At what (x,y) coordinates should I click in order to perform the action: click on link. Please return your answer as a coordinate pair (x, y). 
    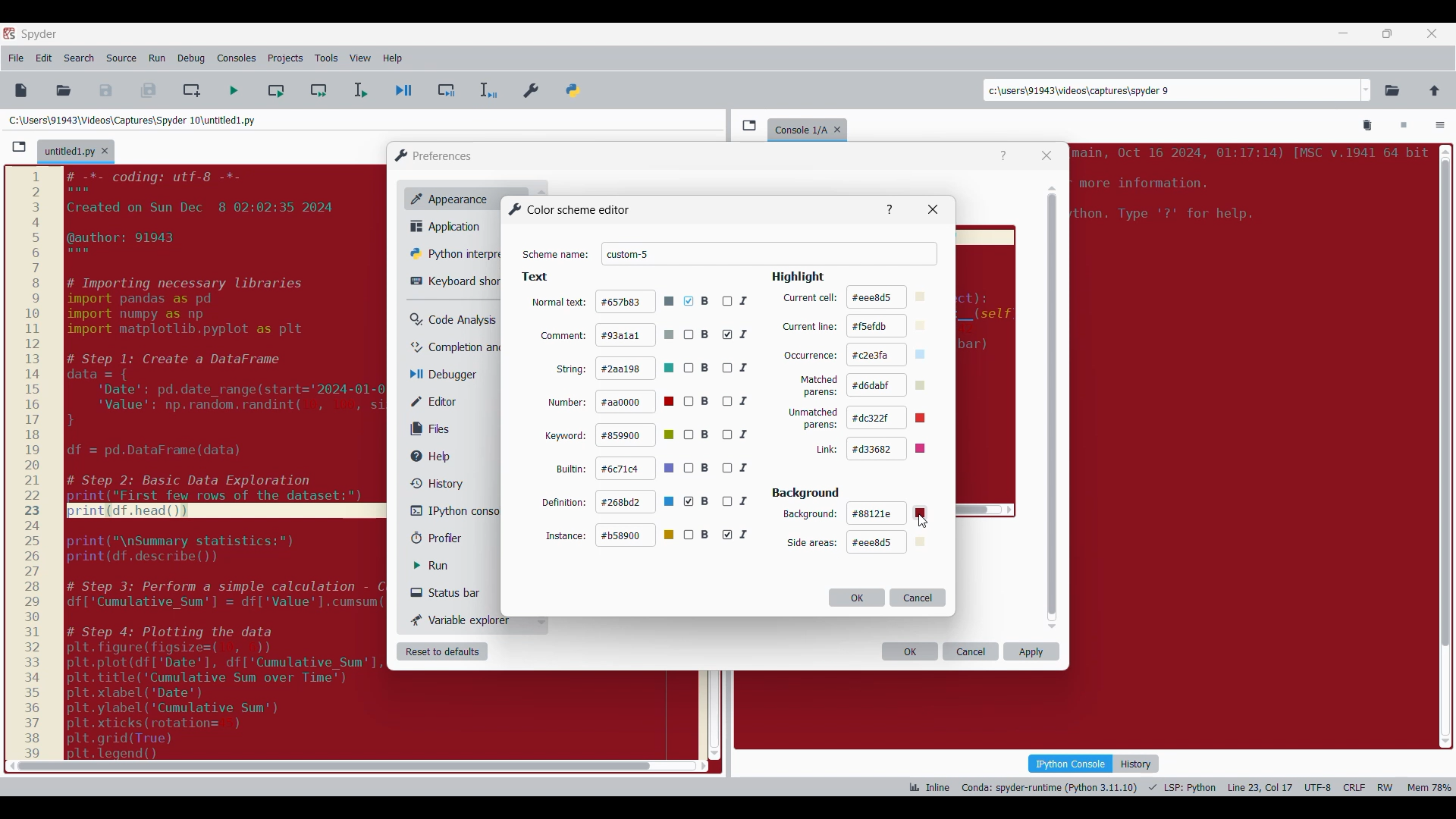
    Looking at the image, I should click on (825, 450).